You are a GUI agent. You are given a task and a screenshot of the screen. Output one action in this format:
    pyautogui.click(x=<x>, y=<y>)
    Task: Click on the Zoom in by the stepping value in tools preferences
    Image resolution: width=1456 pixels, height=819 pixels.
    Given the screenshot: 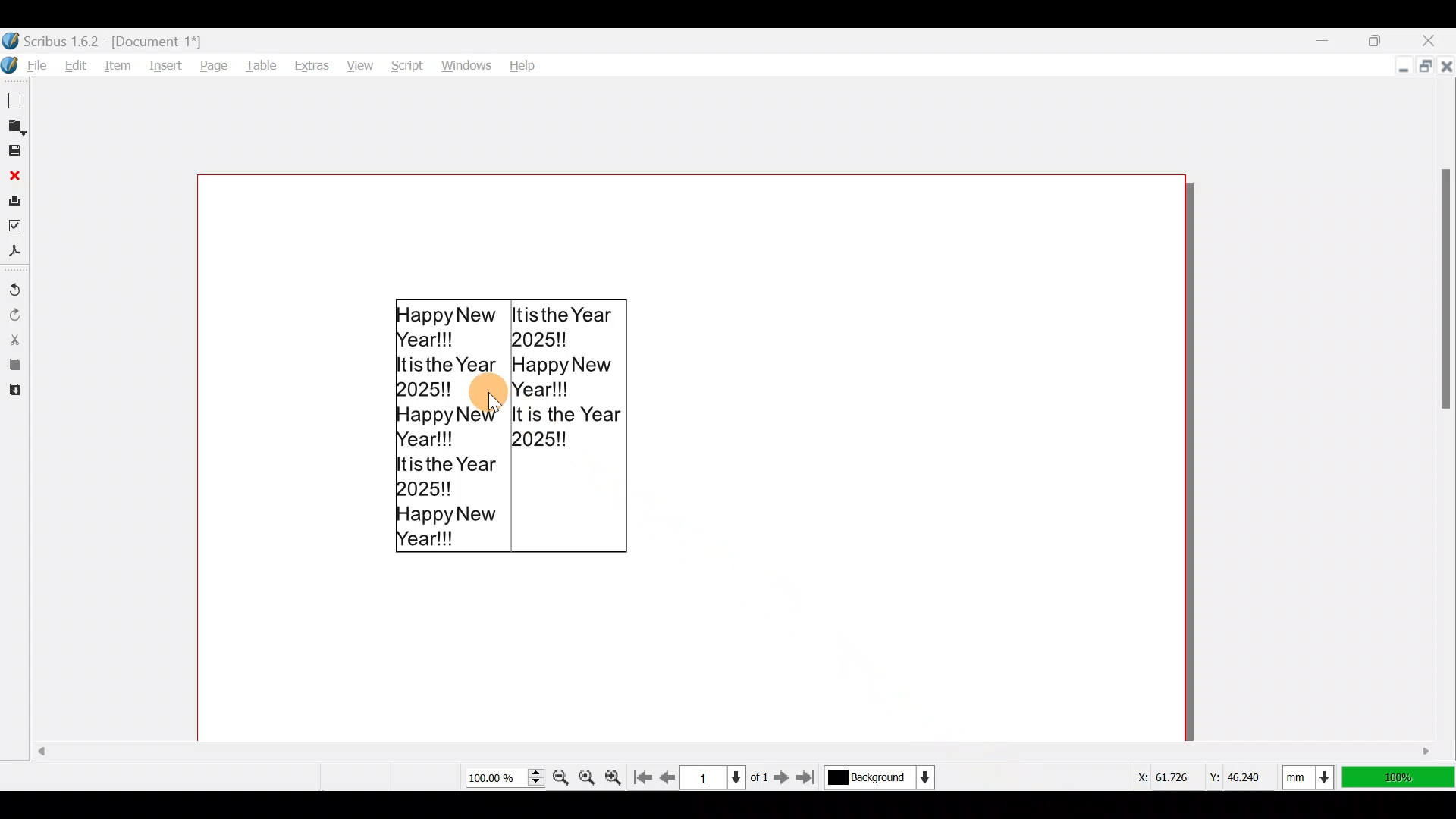 What is the action you would take?
    pyautogui.click(x=617, y=773)
    